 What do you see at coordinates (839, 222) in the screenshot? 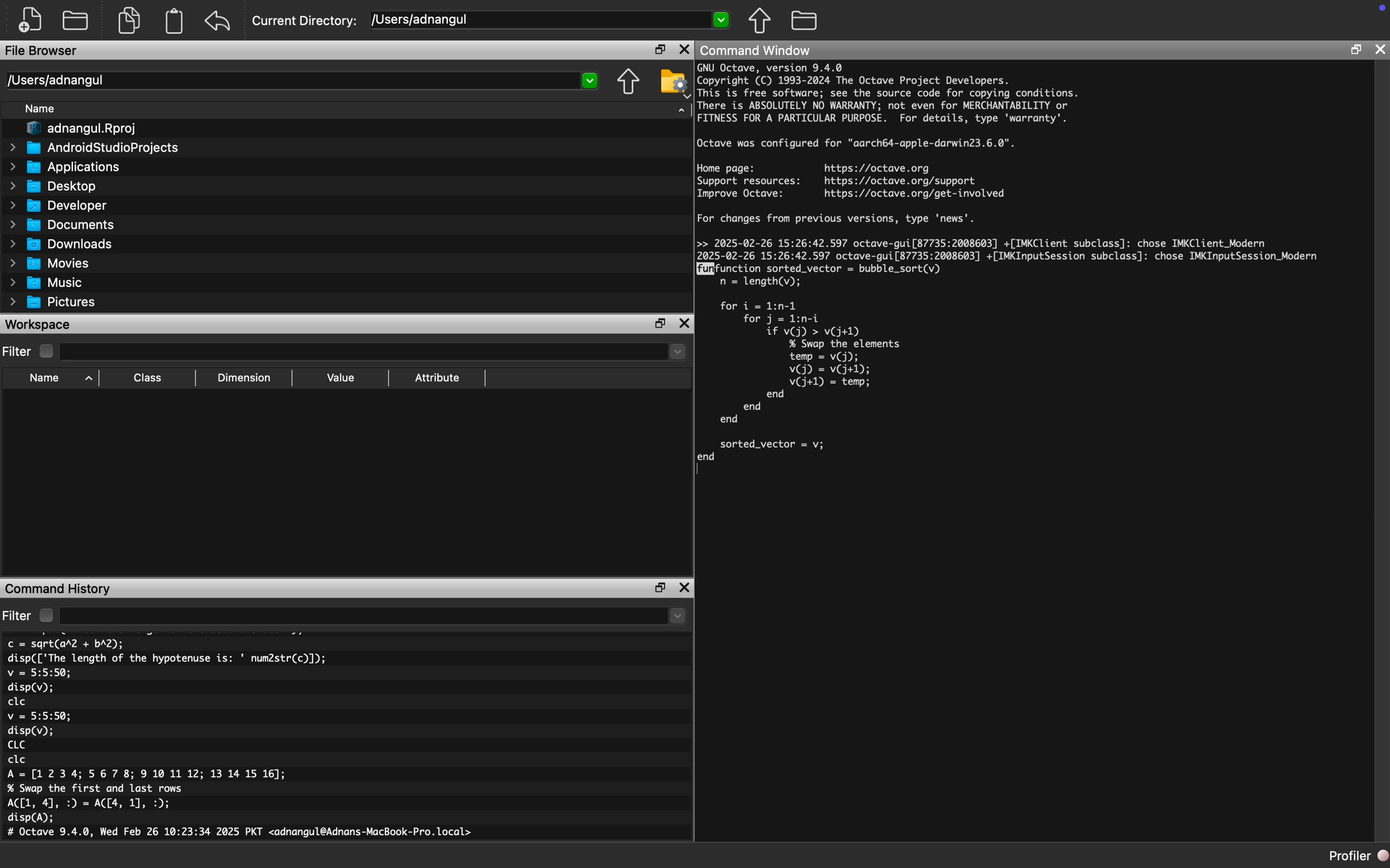
I see `For changes from previous versions, type 'news'.` at bounding box center [839, 222].